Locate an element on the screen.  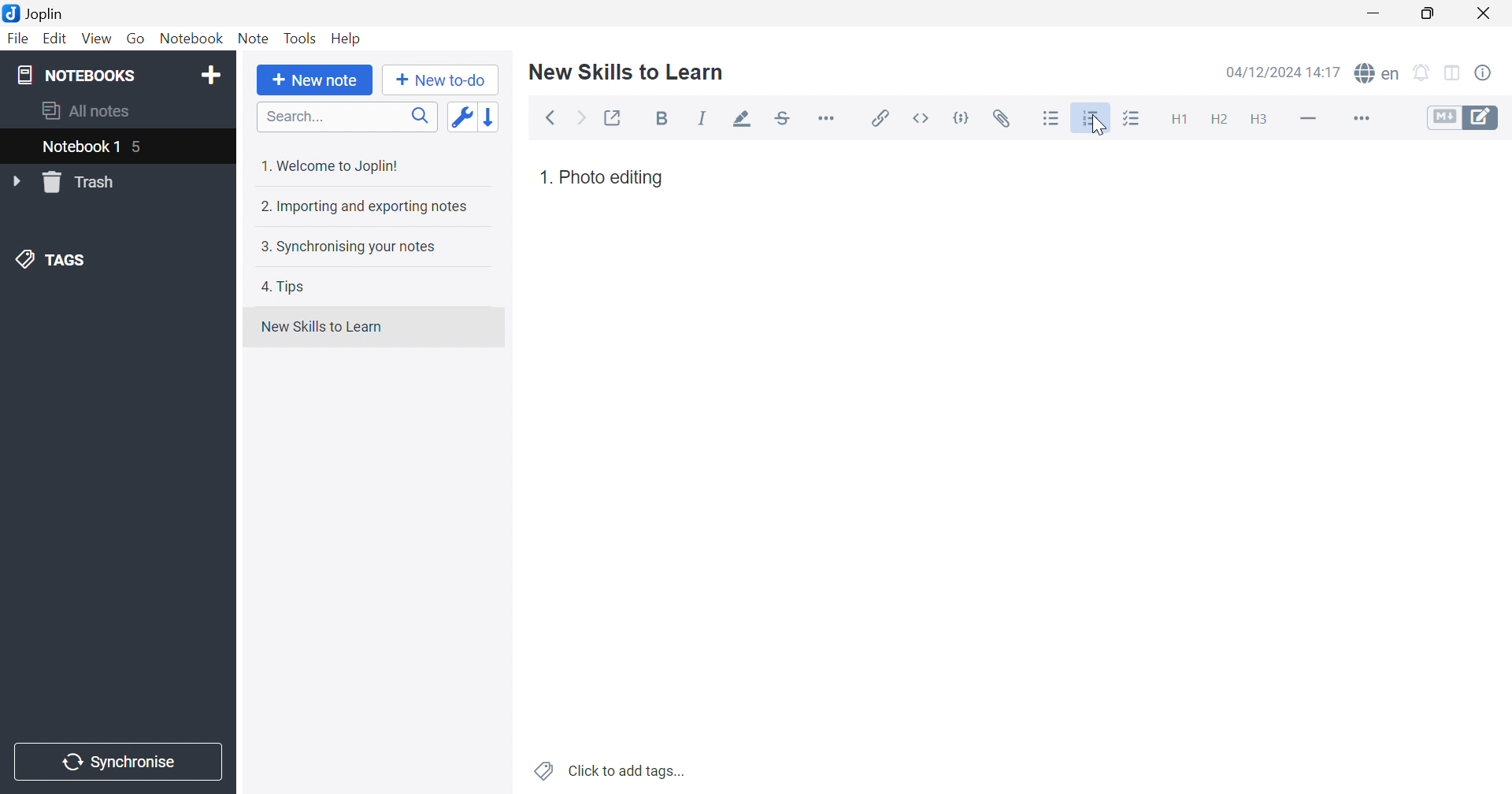
1. is located at coordinates (546, 177).